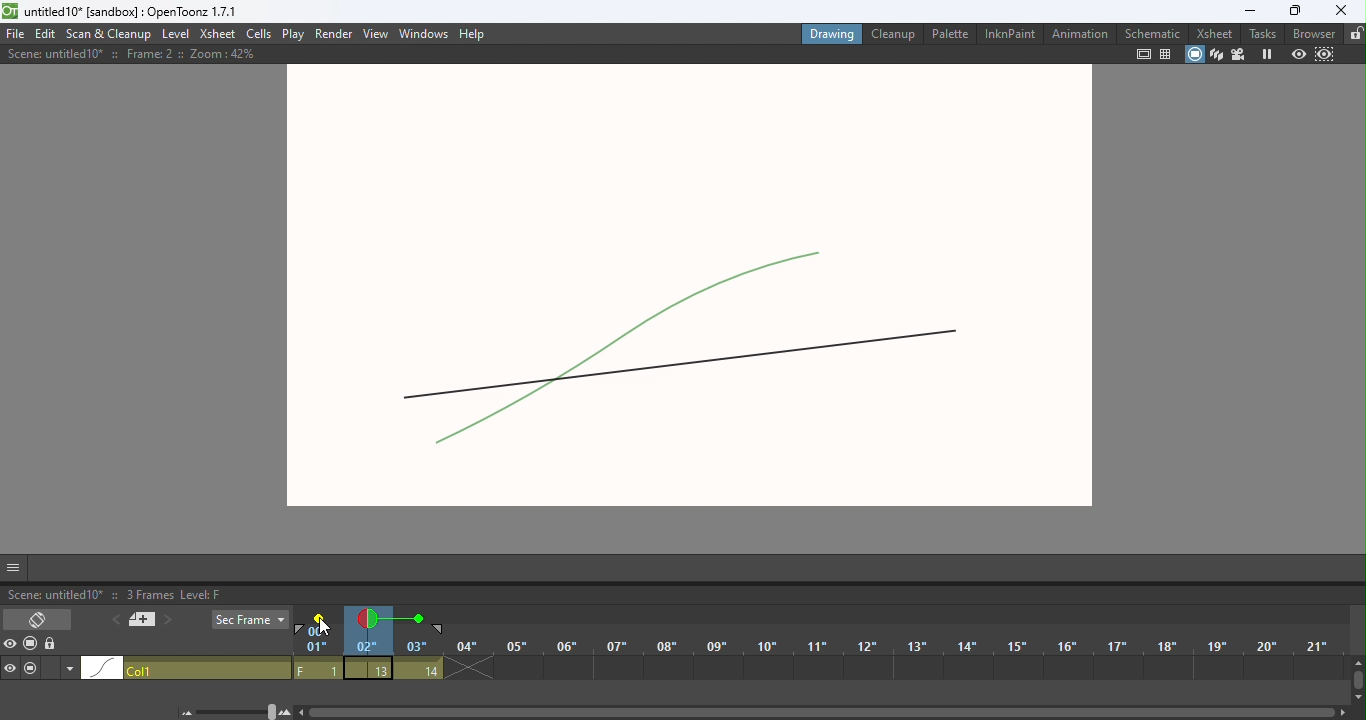 This screenshot has width=1366, height=720. What do you see at coordinates (140, 620) in the screenshot?
I see `New memo` at bounding box center [140, 620].